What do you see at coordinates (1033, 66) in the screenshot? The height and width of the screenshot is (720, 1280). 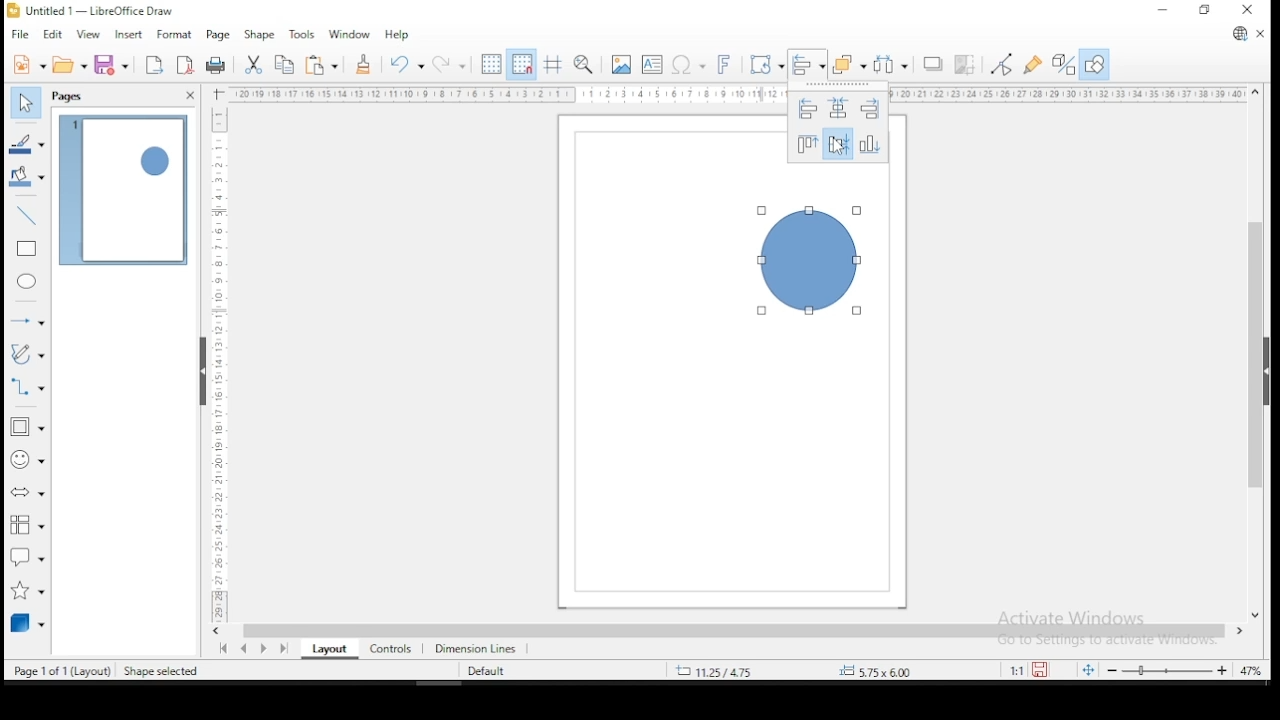 I see `show gluepoint functions` at bounding box center [1033, 66].